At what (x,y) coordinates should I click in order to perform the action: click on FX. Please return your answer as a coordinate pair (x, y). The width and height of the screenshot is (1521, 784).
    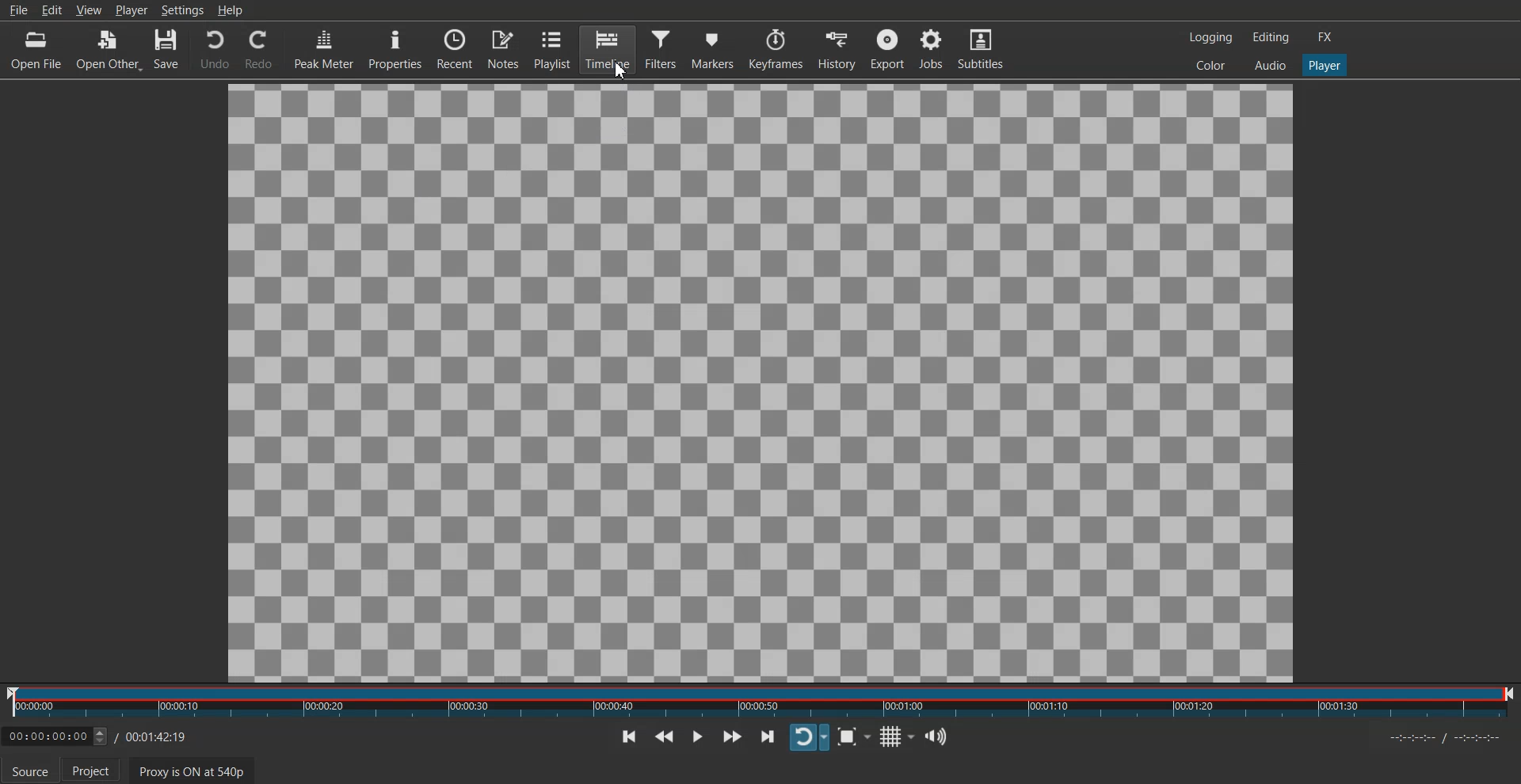
    Looking at the image, I should click on (1325, 37).